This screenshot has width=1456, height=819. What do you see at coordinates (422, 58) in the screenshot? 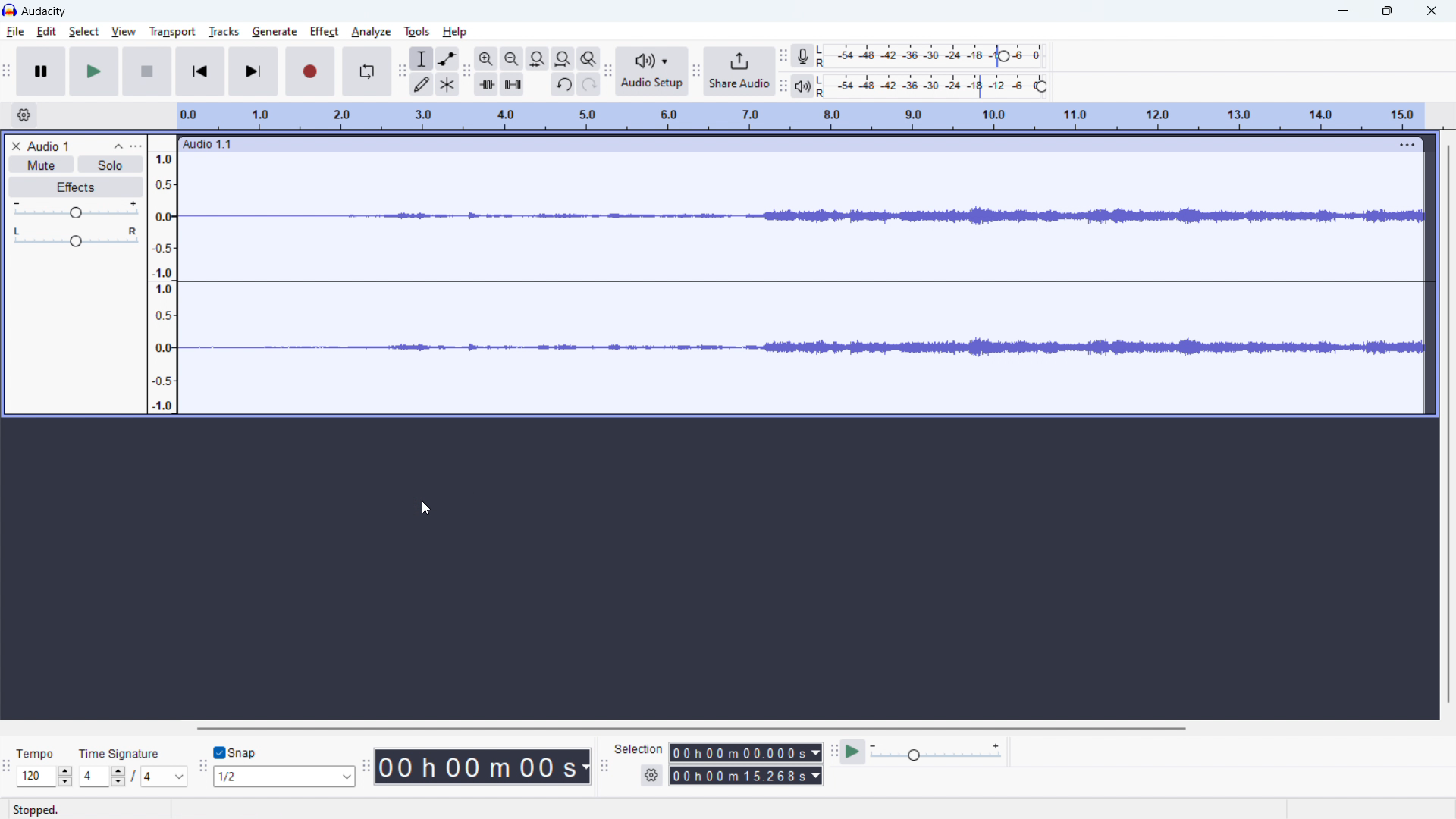
I see `selection tool` at bounding box center [422, 58].